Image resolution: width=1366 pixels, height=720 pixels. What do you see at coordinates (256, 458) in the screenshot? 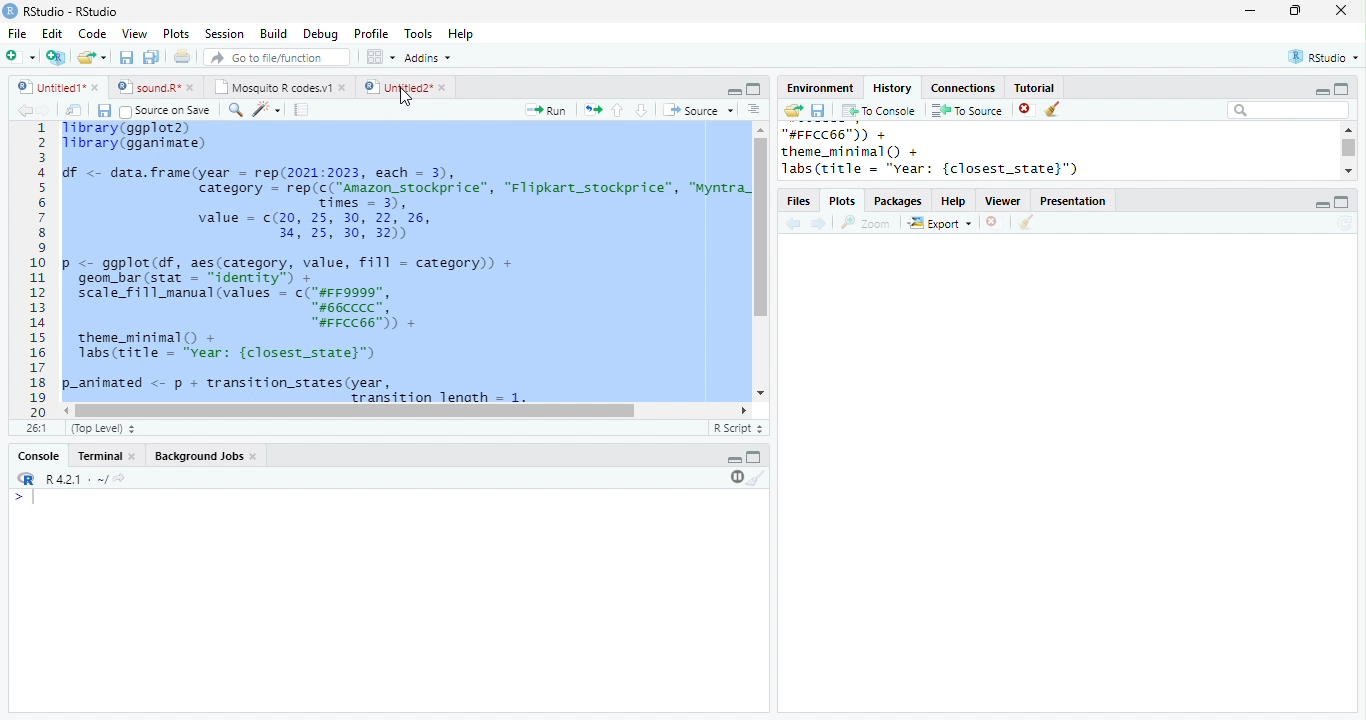
I see `close` at bounding box center [256, 458].